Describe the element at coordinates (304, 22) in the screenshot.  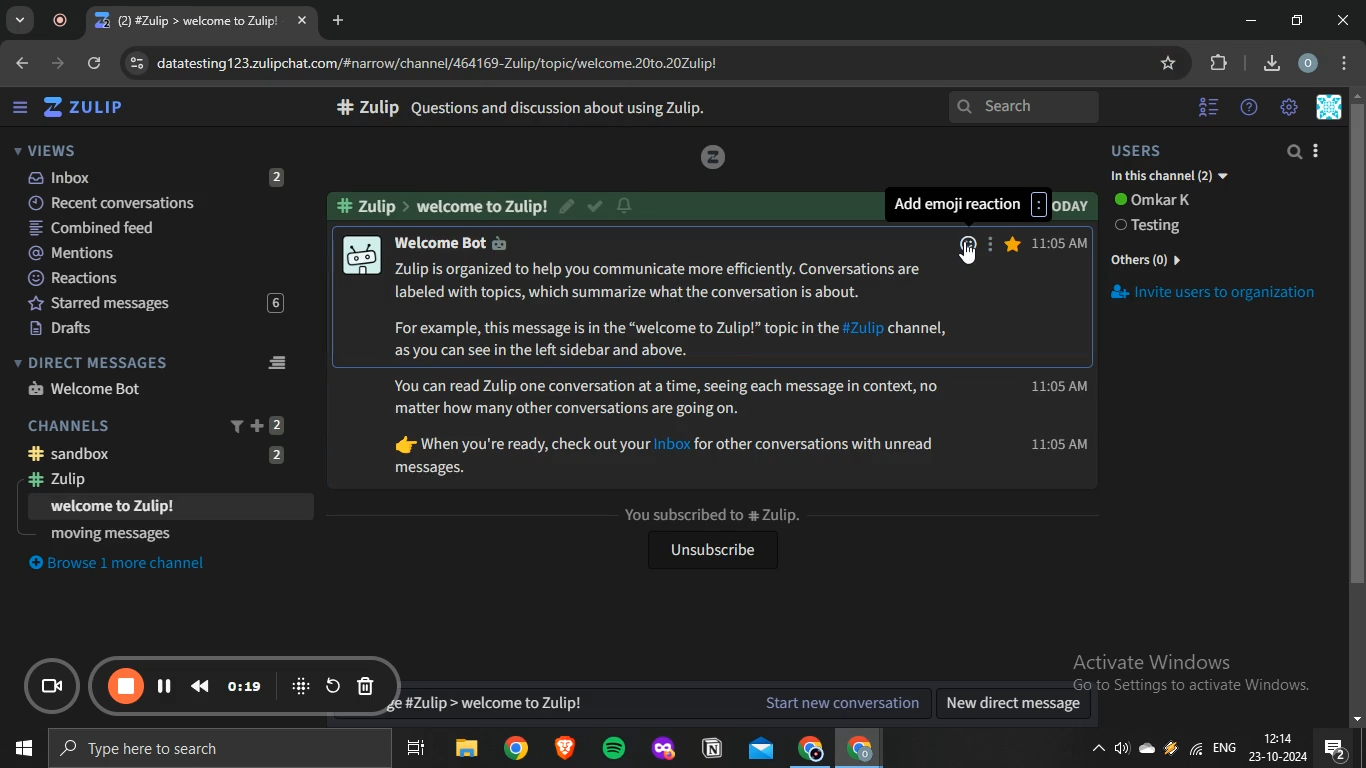
I see `close tab` at that location.